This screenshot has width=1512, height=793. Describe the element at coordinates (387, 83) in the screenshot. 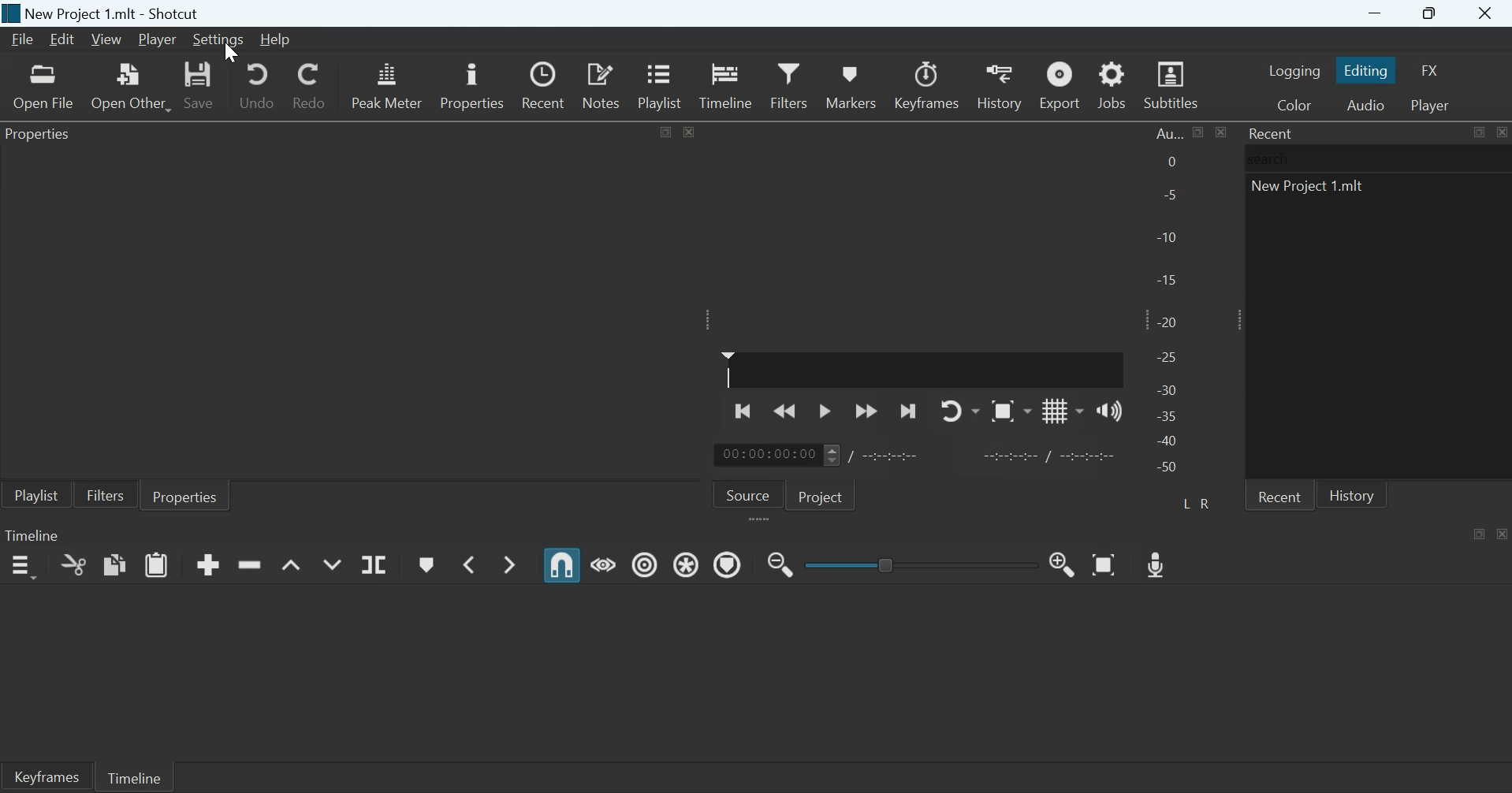

I see `Audio Peak meter` at that location.